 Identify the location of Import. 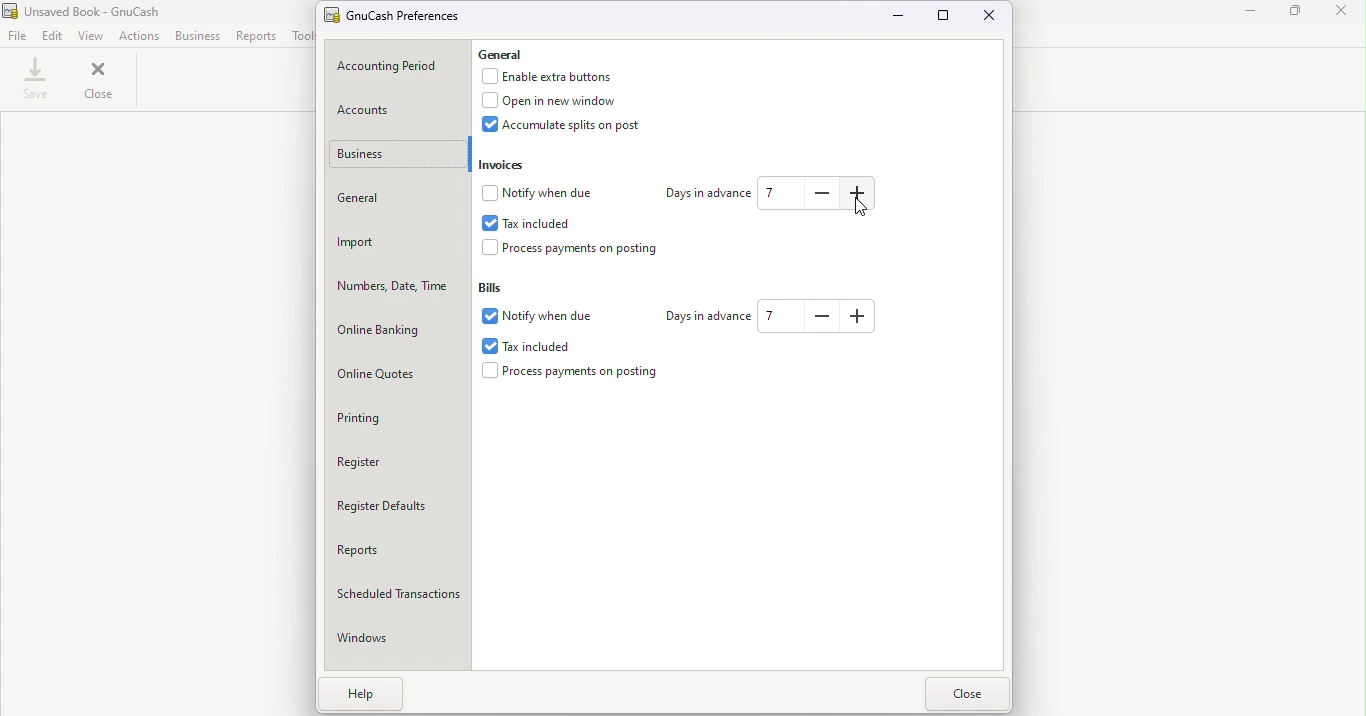
(389, 245).